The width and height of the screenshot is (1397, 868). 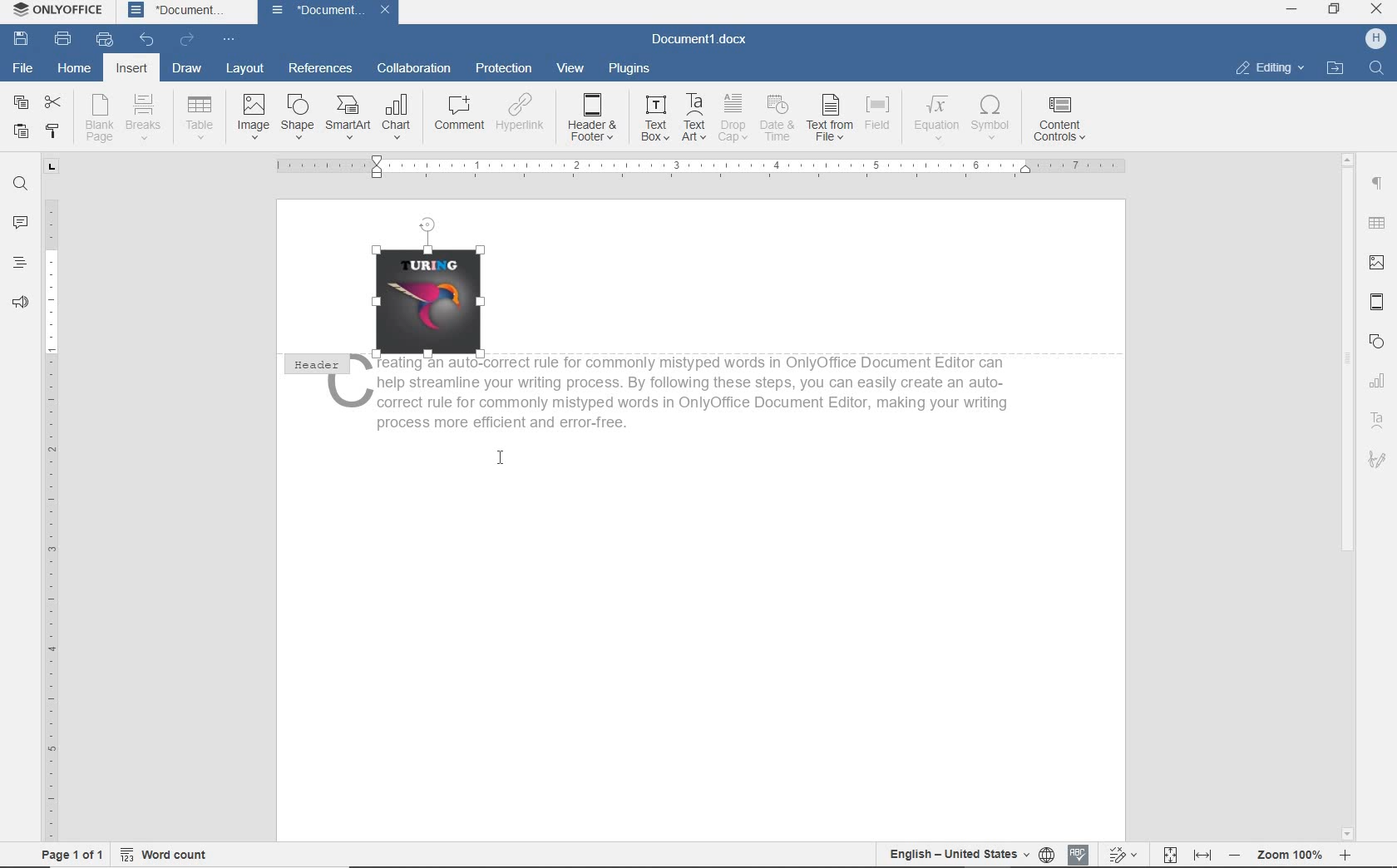 What do you see at coordinates (703, 167) in the screenshot?
I see `RULER` at bounding box center [703, 167].